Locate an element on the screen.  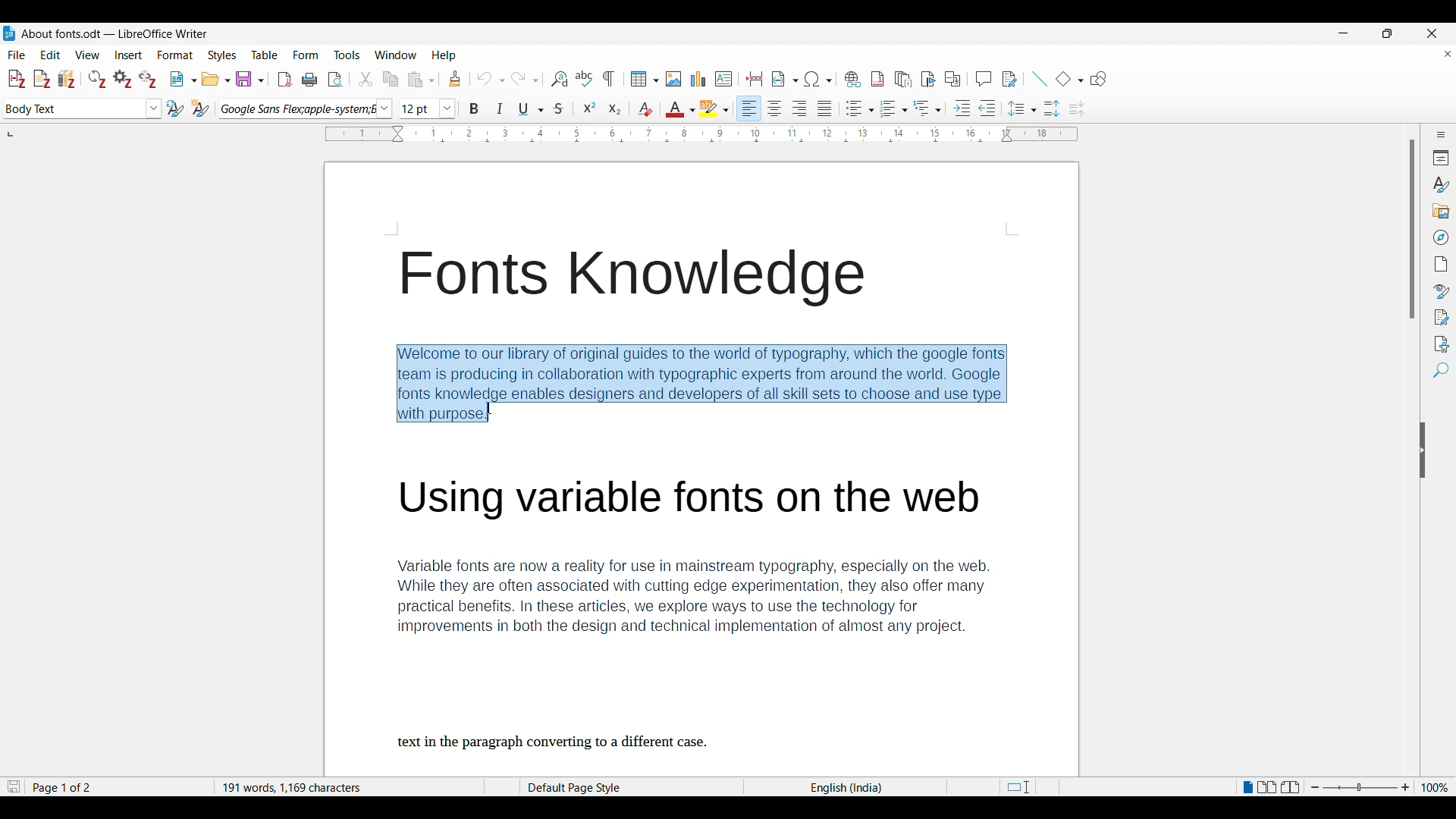
Font options is located at coordinates (306, 108).